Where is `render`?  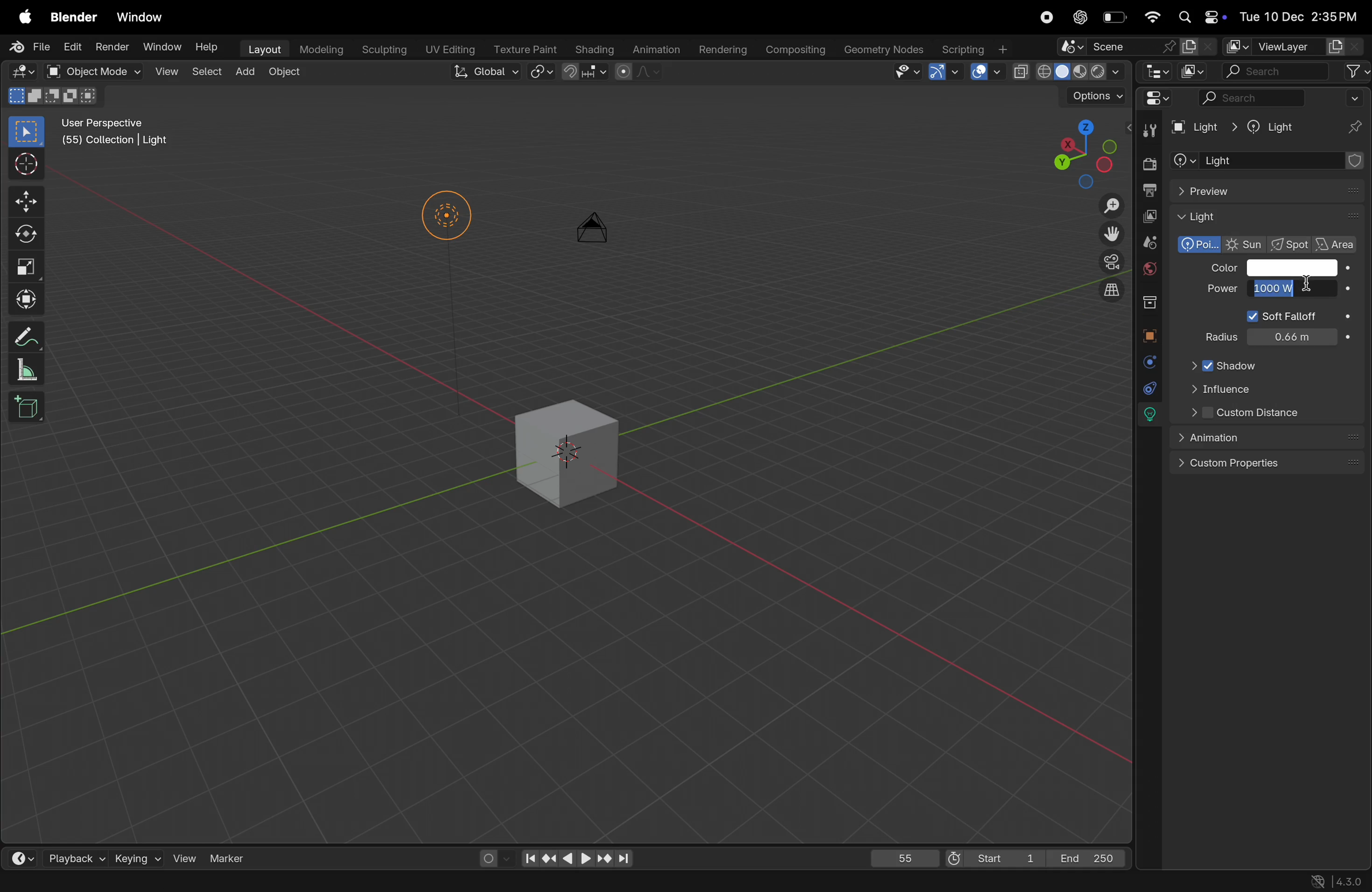
render is located at coordinates (1148, 161).